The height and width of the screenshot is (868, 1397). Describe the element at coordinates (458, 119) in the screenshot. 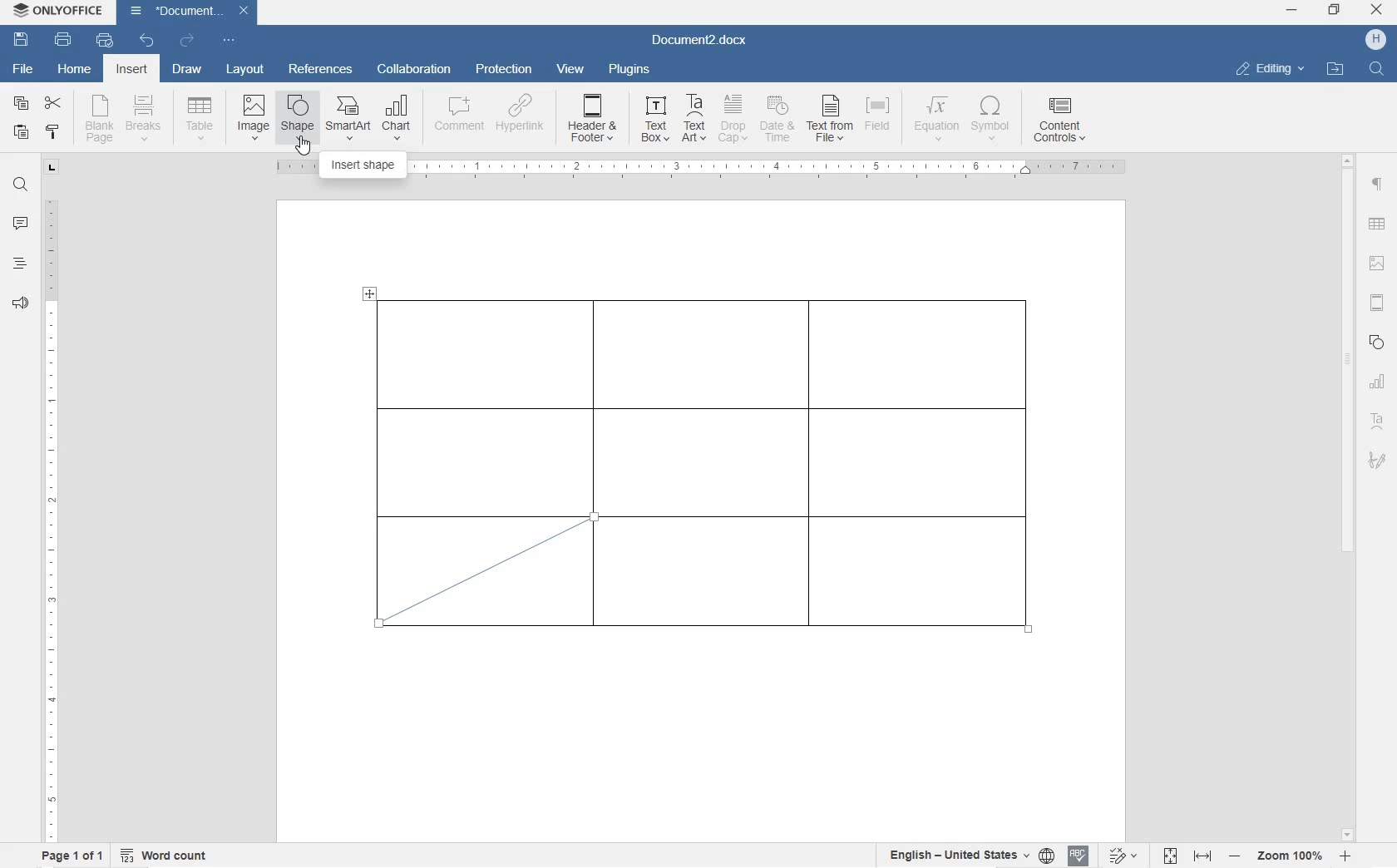

I see `COMMENT` at that location.